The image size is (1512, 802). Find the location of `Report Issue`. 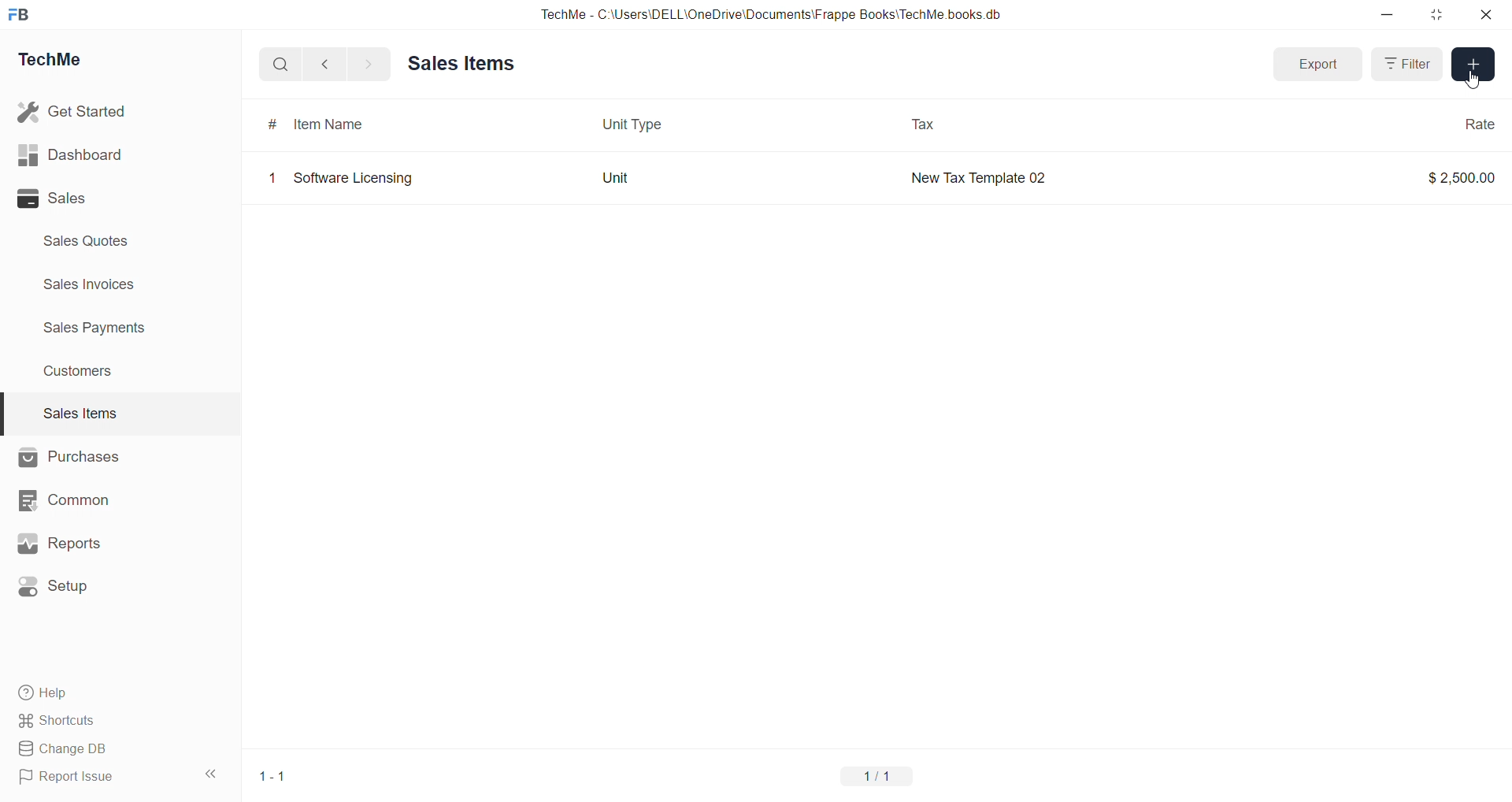

Report Issue is located at coordinates (70, 778).